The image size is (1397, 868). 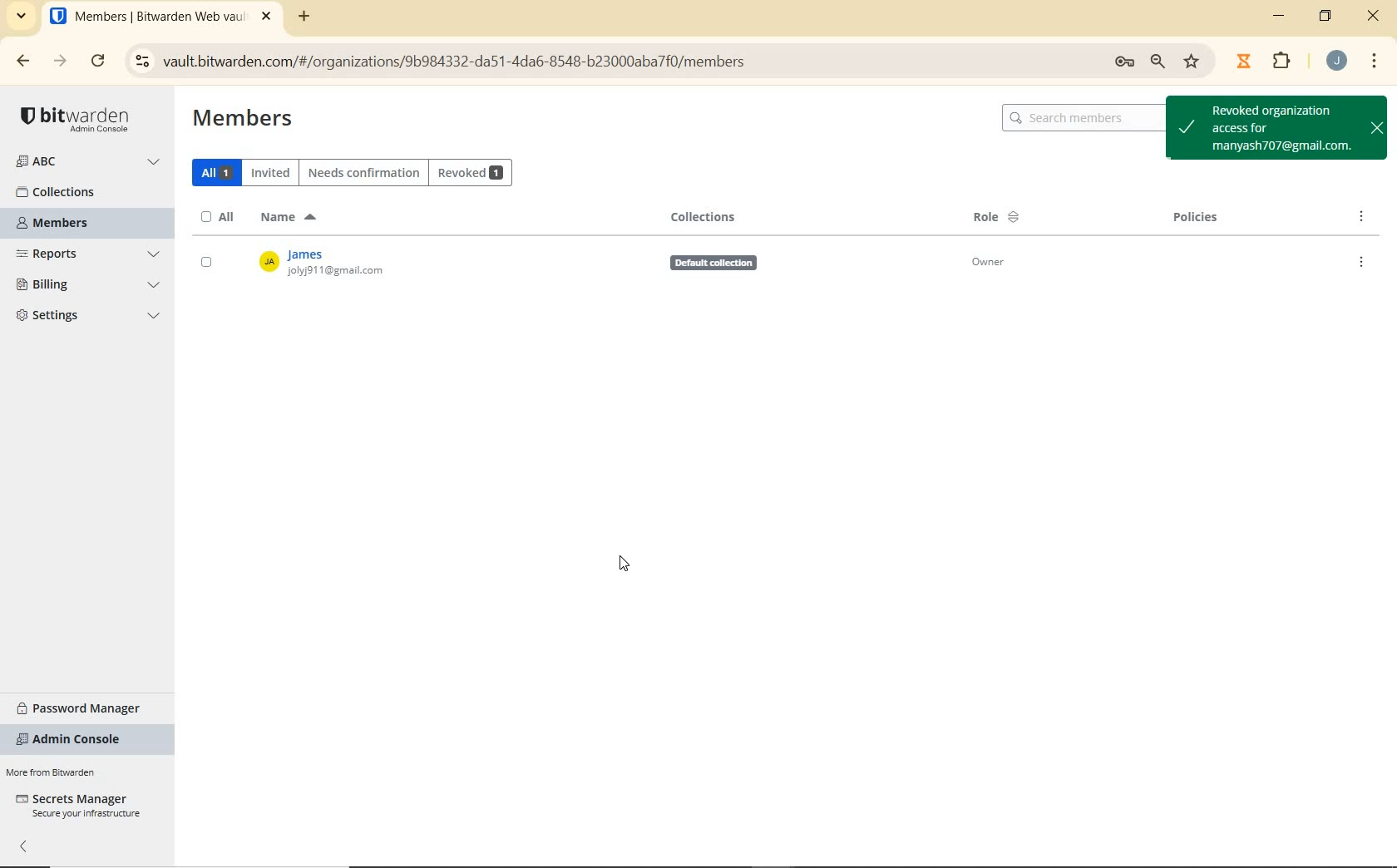 I want to click on MINIMIZE, so click(x=1281, y=19).